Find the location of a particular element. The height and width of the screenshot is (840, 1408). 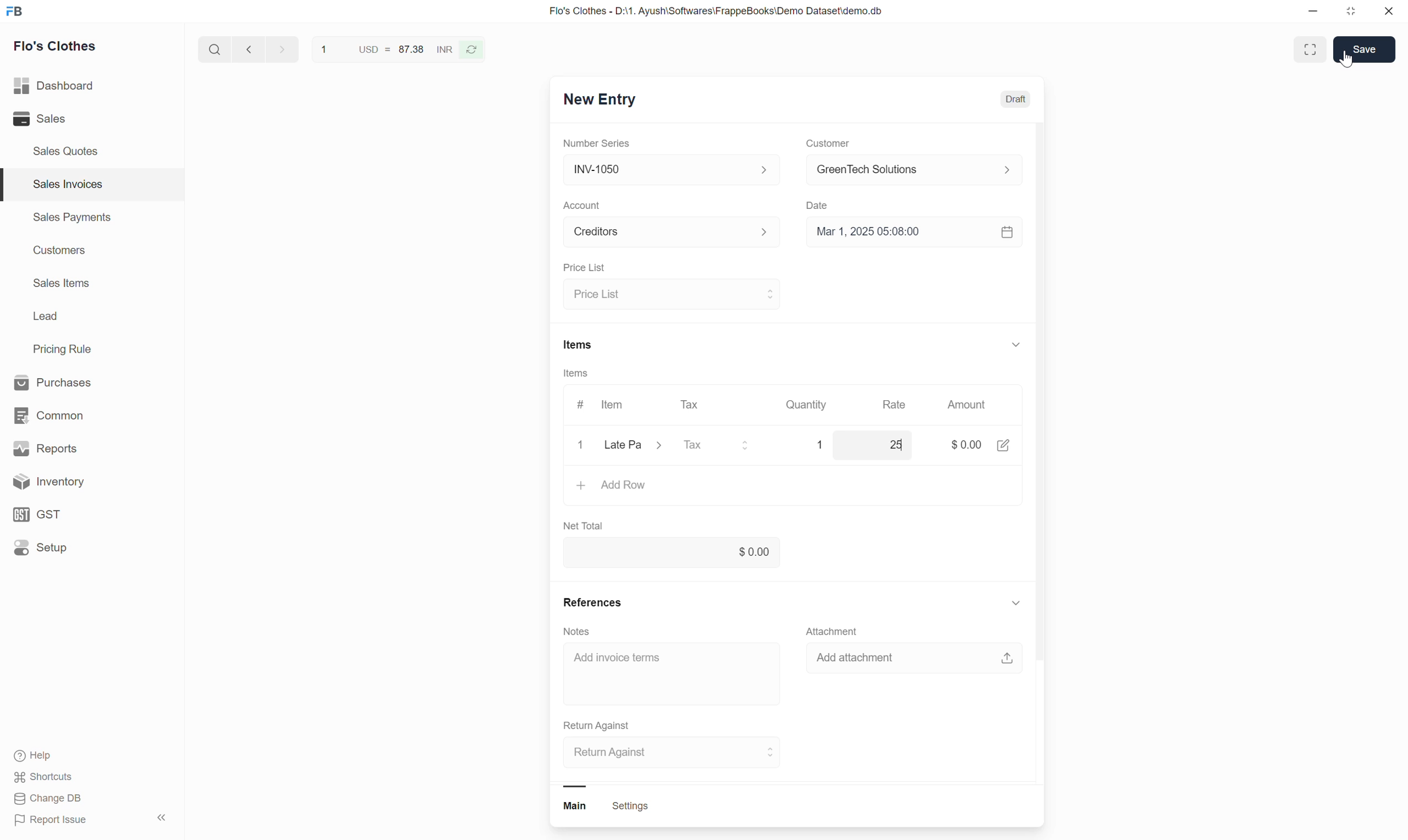

show or hide references  is located at coordinates (1017, 606).